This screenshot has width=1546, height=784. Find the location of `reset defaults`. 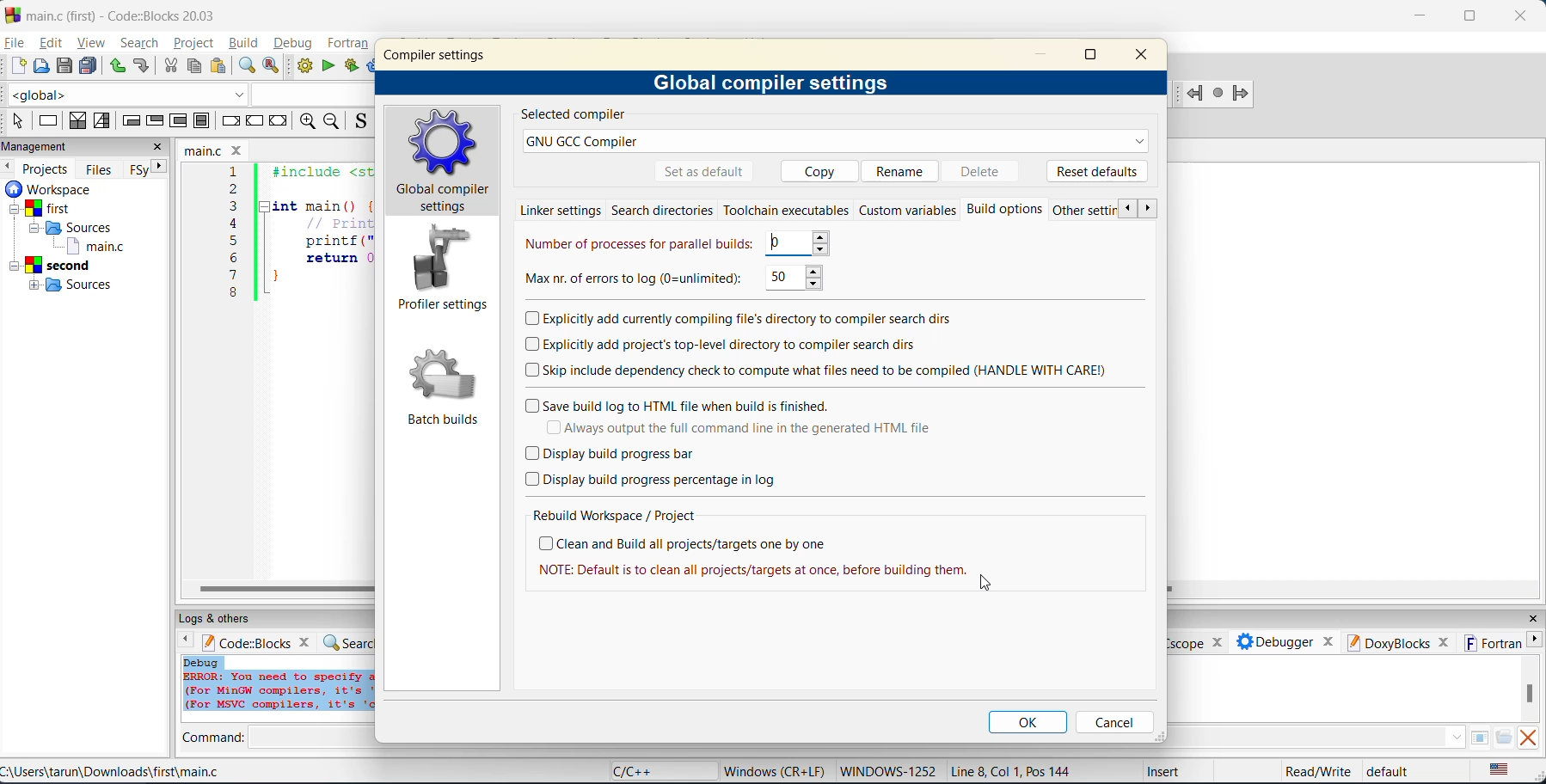

reset defaults is located at coordinates (1097, 170).